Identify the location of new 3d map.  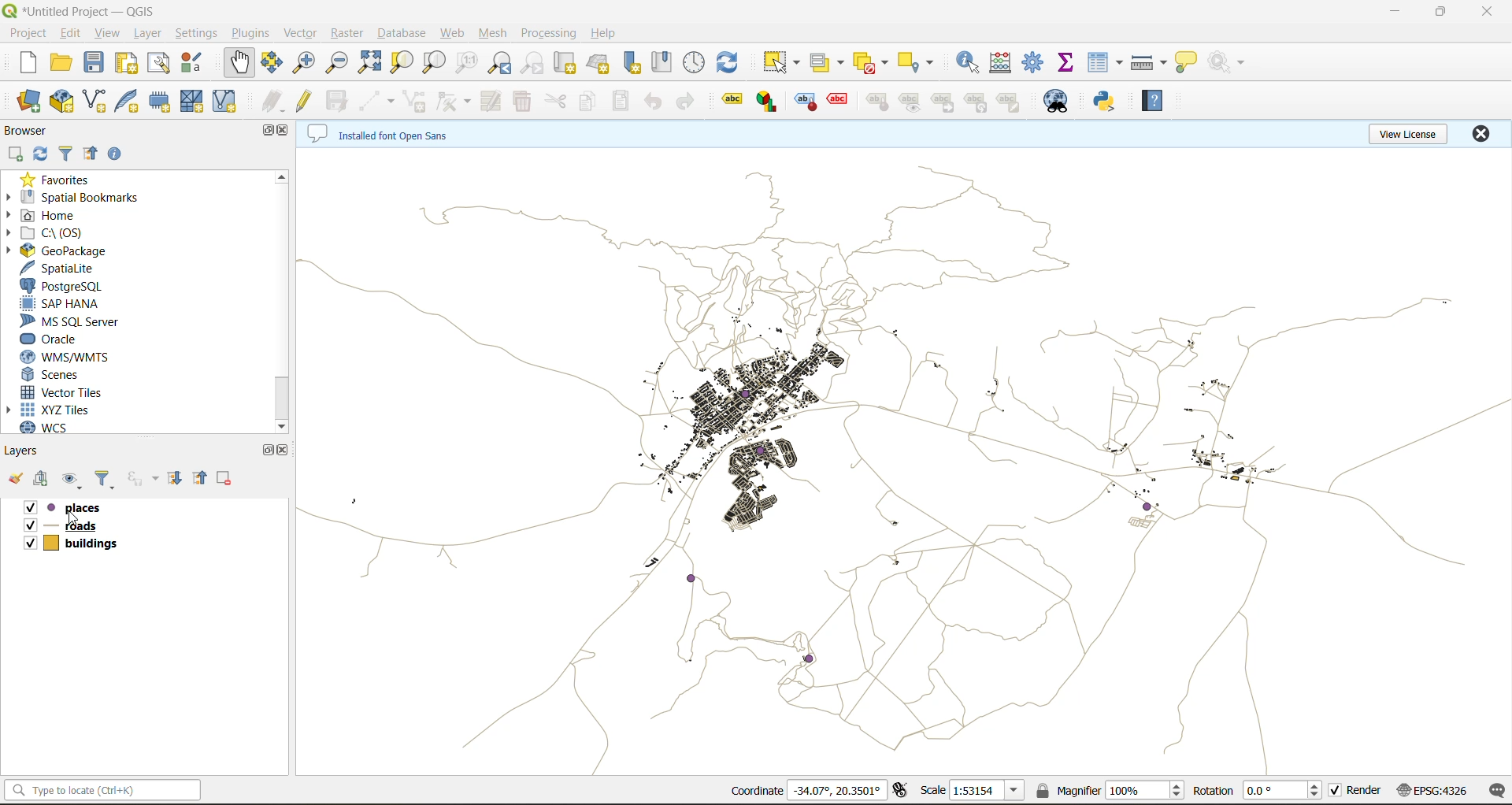
(601, 60).